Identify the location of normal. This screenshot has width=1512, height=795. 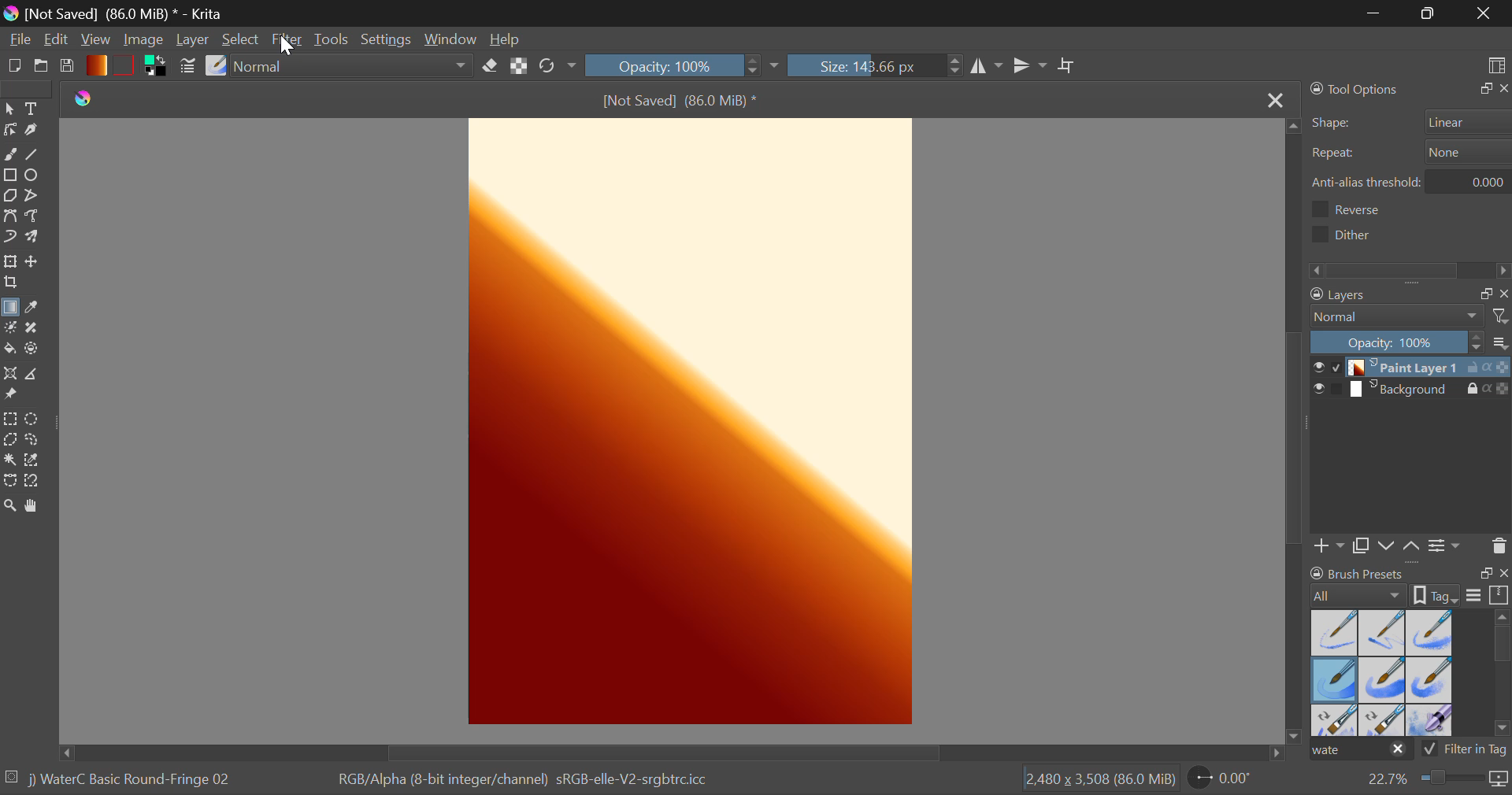
(1398, 316).